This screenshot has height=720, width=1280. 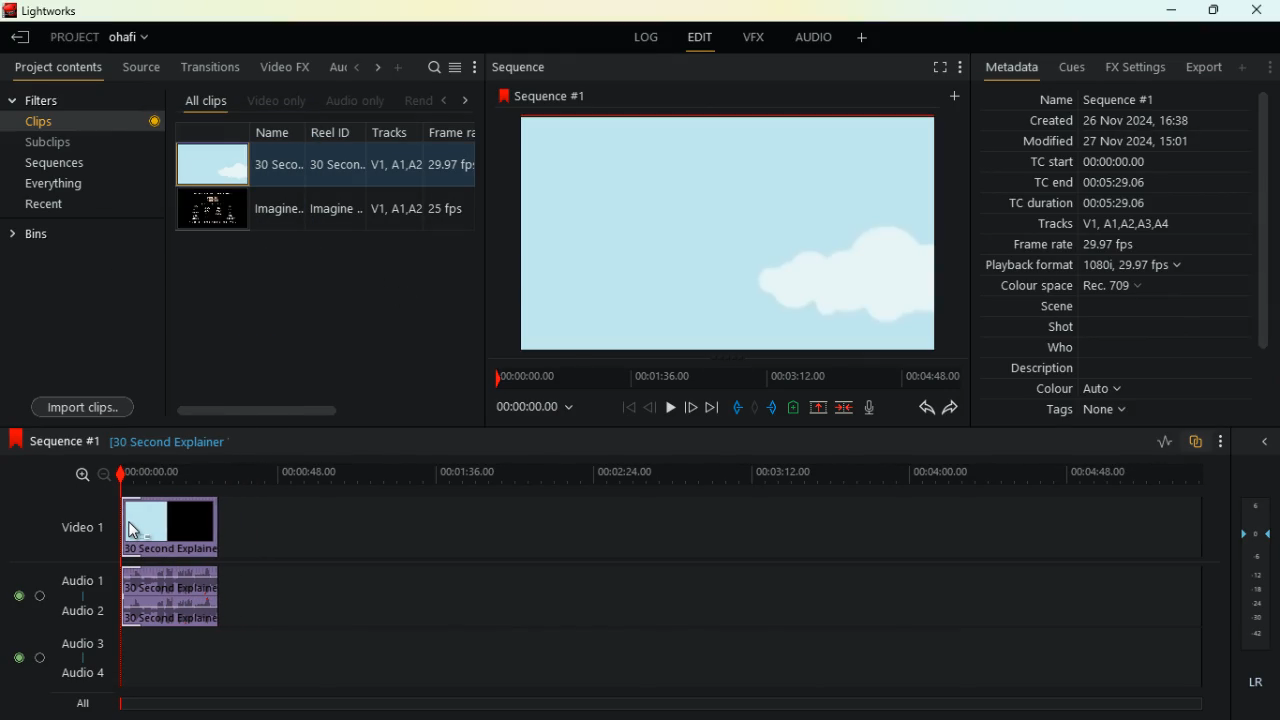 I want to click on play, so click(x=670, y=407).